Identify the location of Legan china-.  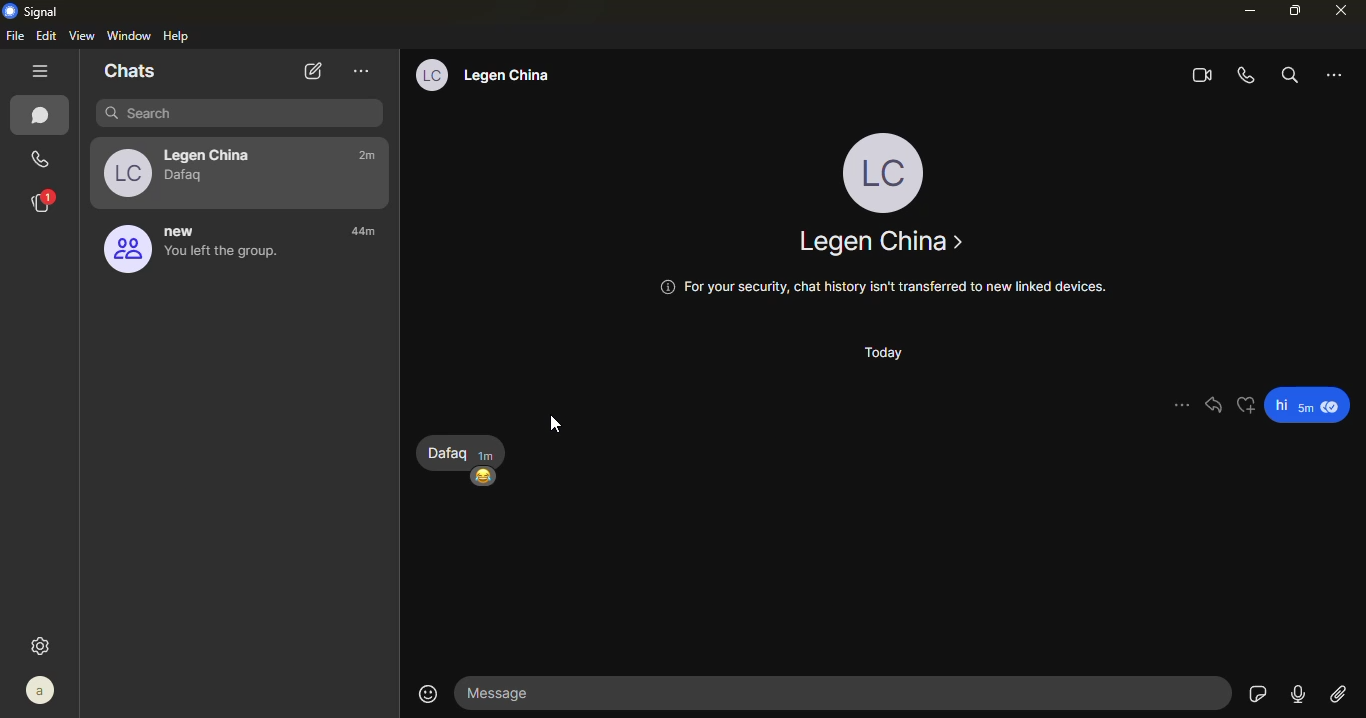
(213, 151).